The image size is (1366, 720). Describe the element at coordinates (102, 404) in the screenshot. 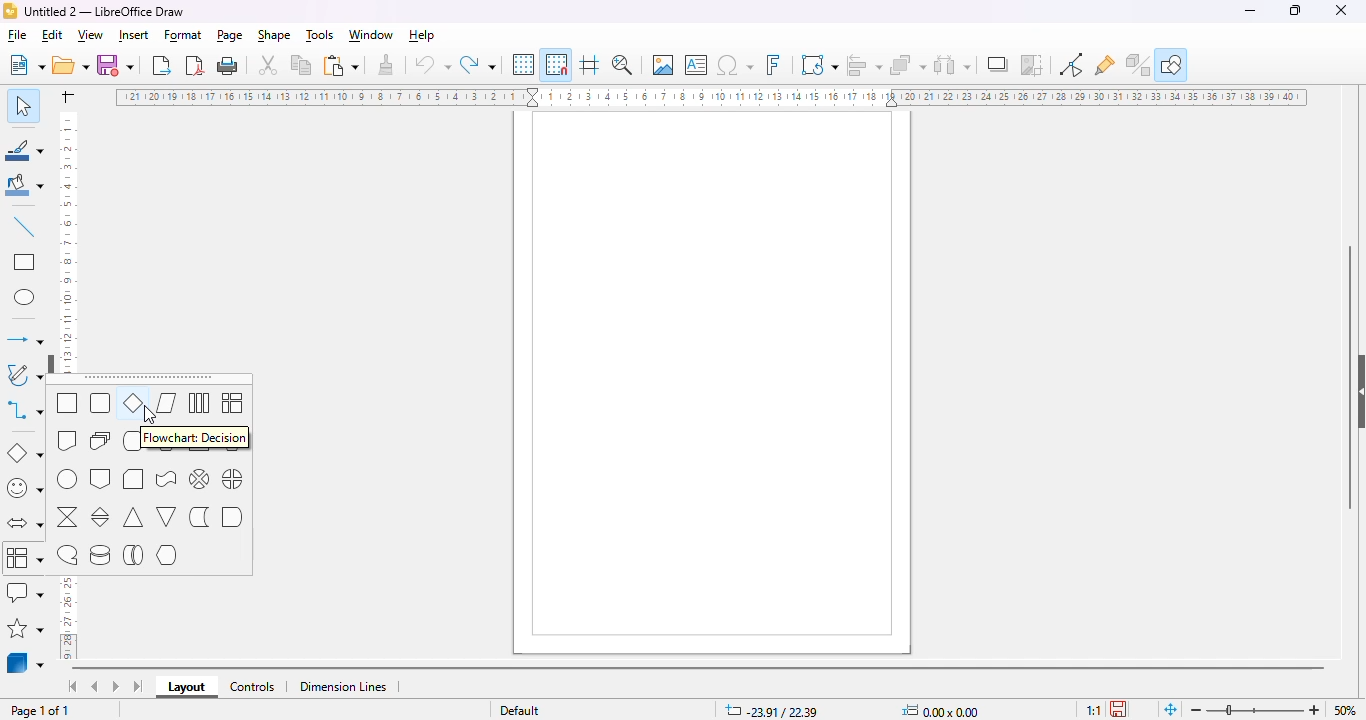

I see `flowchart: alternate process` at that location.